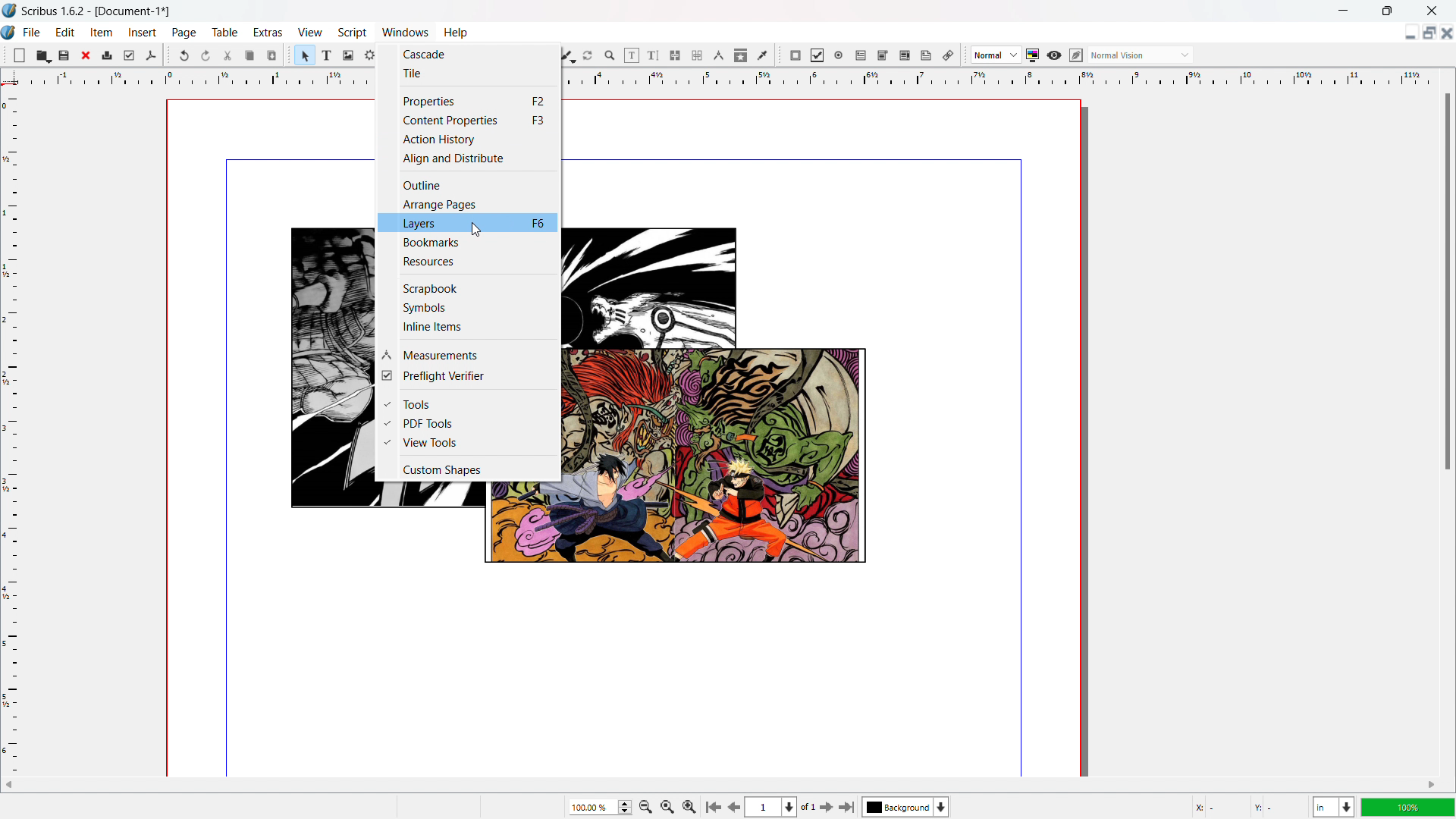 The width and height of the screenshot is (1456, 819). What do you see at coordinates (948, 55) in the screenshot?
I see `link the annotation` at bounding box center [948, 55].